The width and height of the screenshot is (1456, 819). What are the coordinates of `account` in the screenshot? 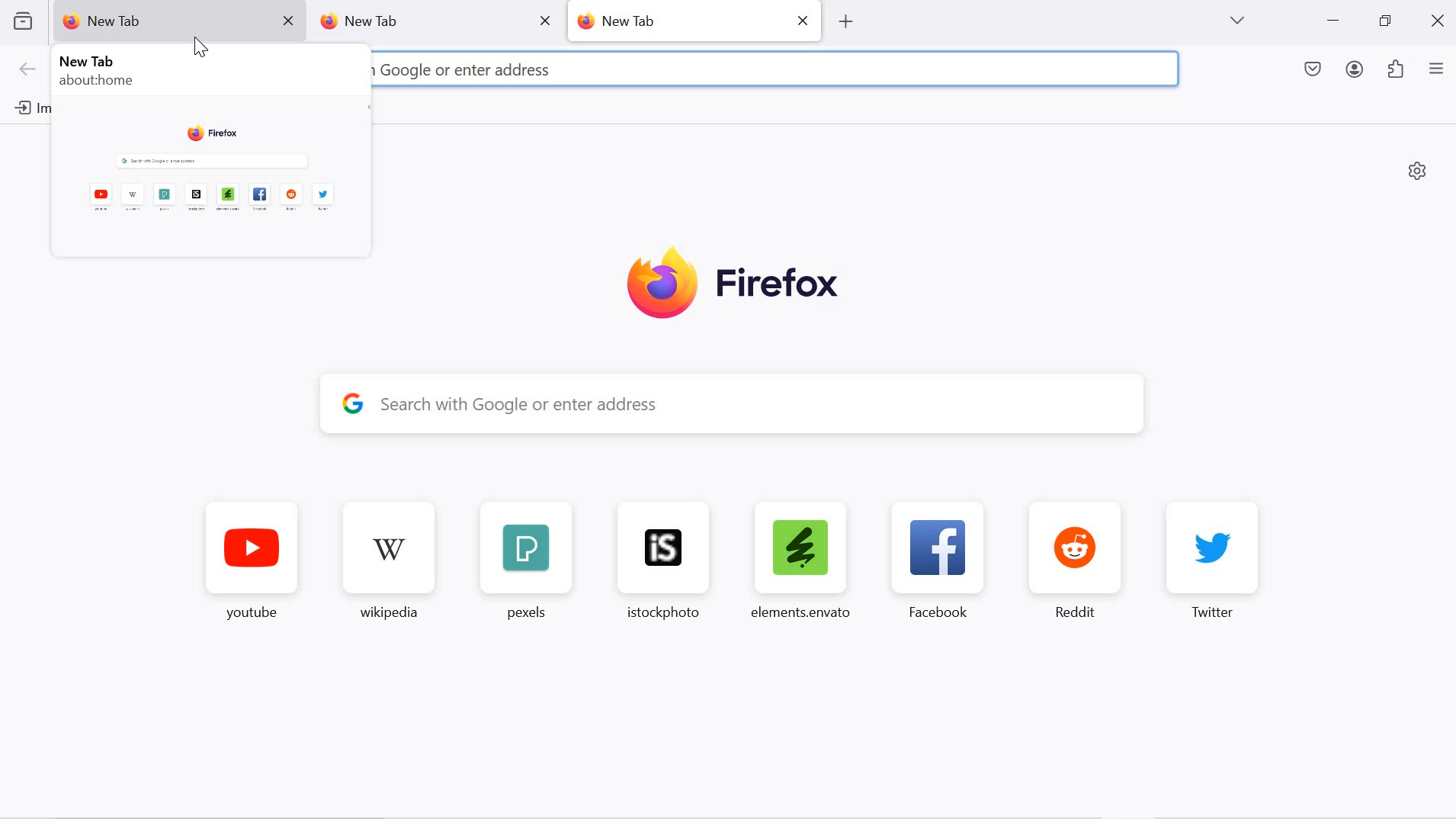 It's located at (1357, 72).